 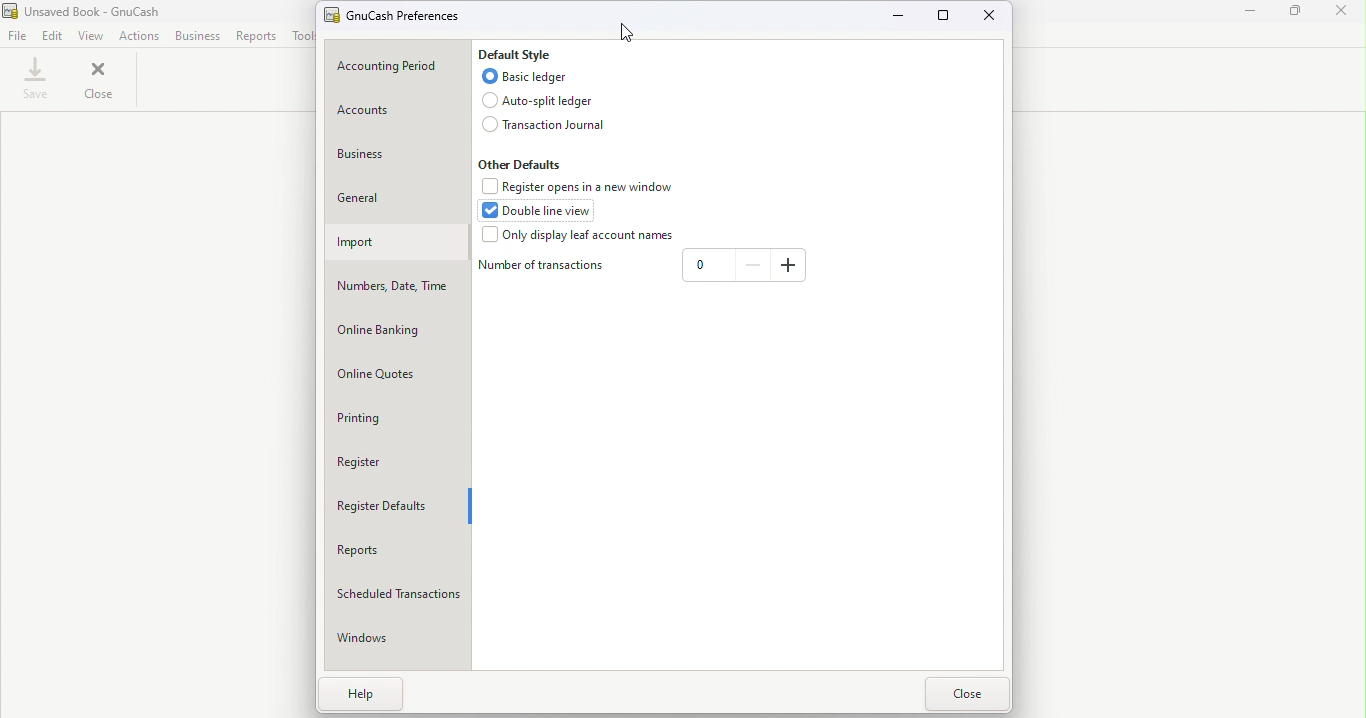 What do you see at coordinates (56, 38) in the screenshot?
I see `Edit` at bounding box center [56, 38].